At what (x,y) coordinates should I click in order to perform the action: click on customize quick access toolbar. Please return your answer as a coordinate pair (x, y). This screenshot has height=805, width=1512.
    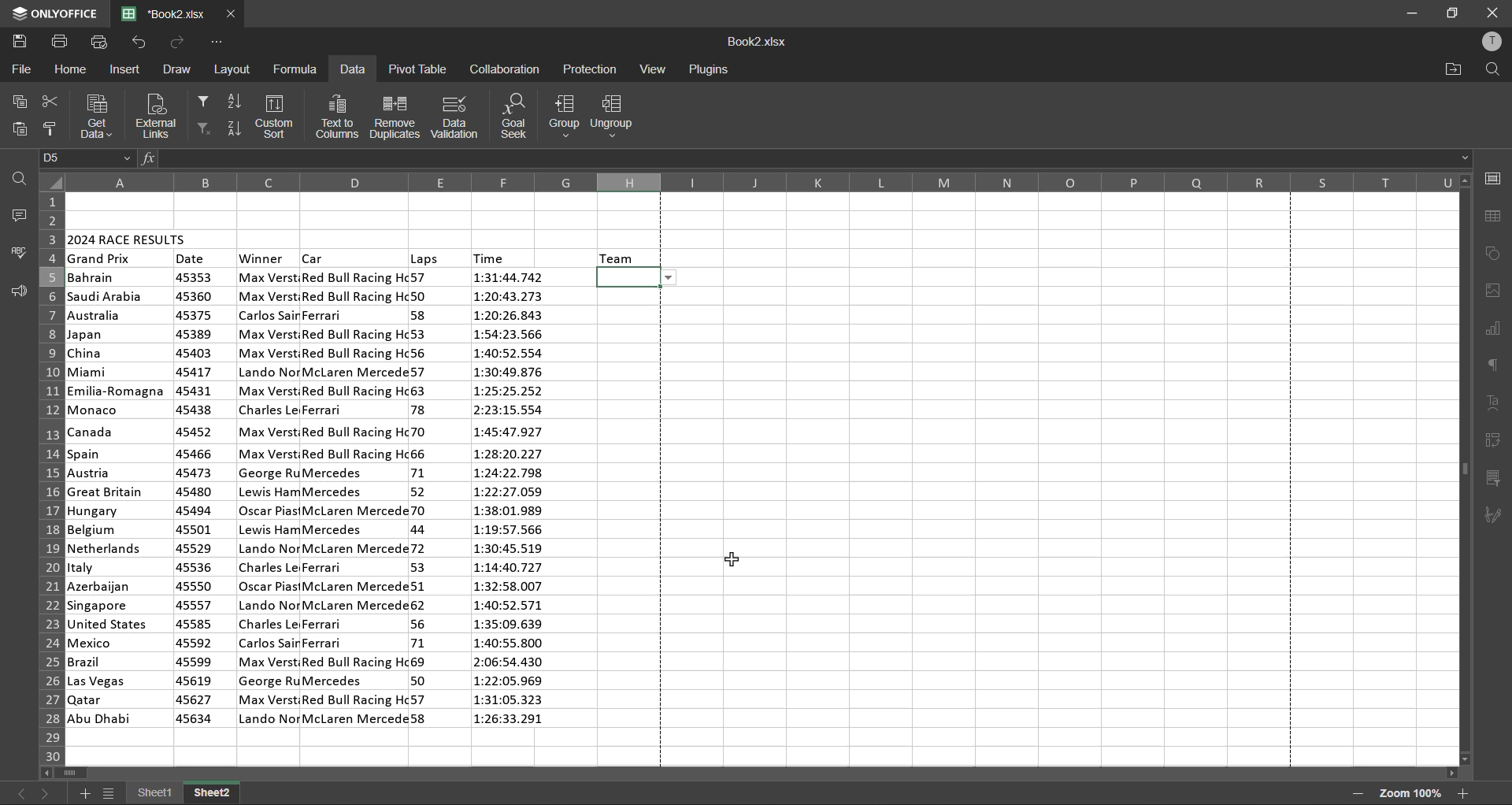
    Looking at the image, I should click on (215, 43).